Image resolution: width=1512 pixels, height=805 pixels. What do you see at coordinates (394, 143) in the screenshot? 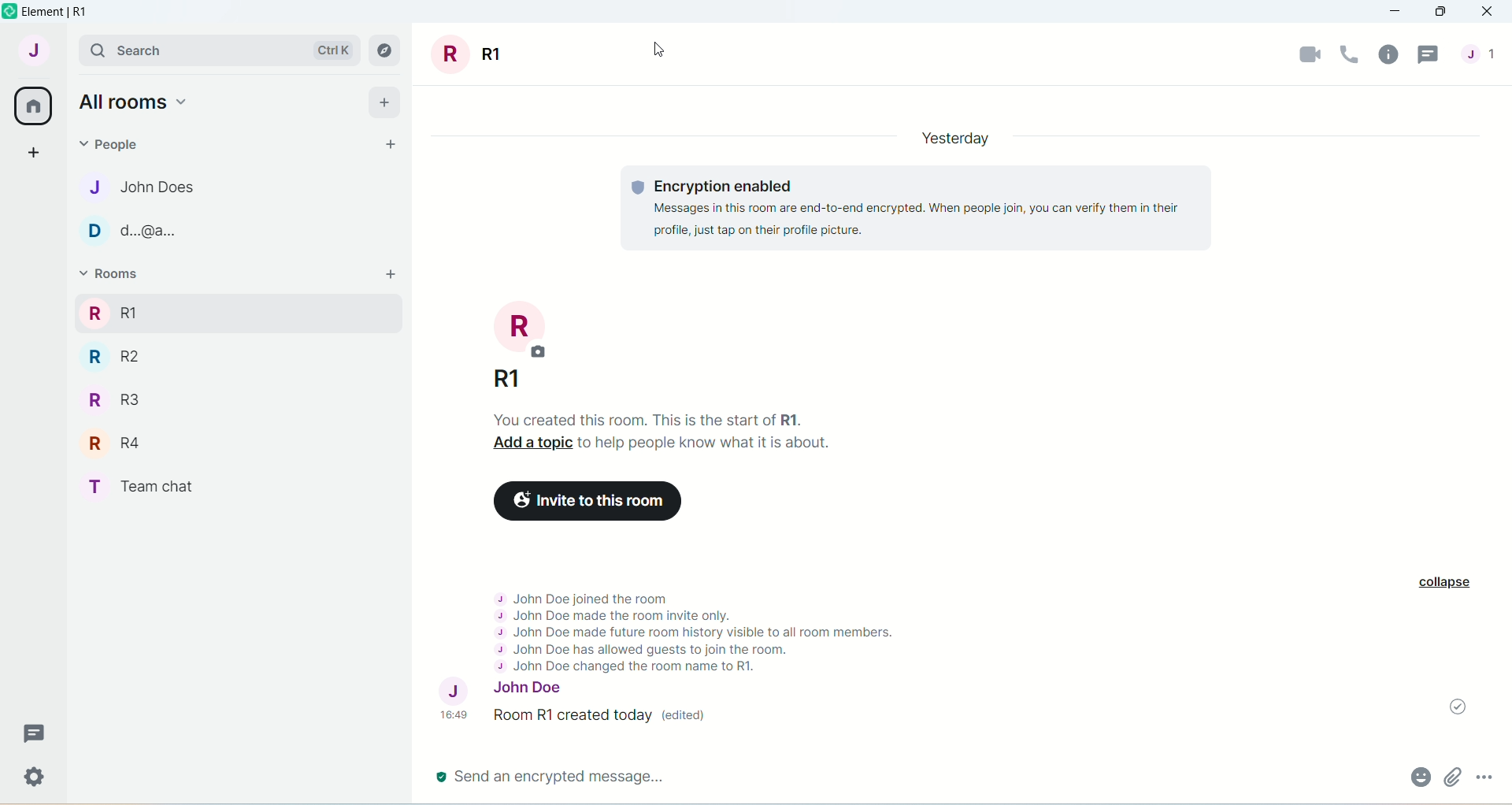
I see `start chat` at bounding box center [394, 143].